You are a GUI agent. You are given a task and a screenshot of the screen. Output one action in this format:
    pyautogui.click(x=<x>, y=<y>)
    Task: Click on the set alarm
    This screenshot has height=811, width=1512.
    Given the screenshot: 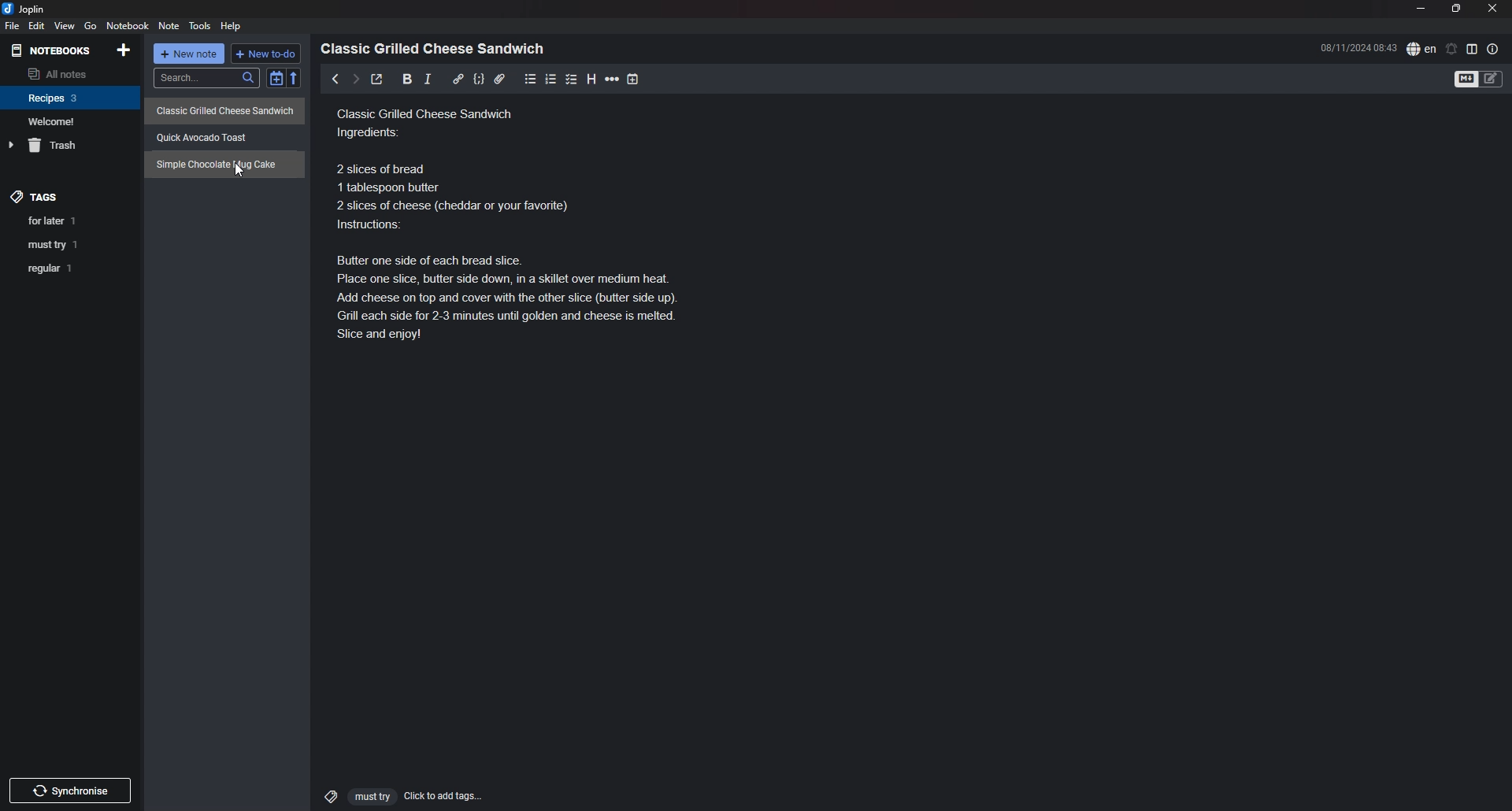 What is the action you would take?
    pyautogui.click(x=1452, y=48)
    